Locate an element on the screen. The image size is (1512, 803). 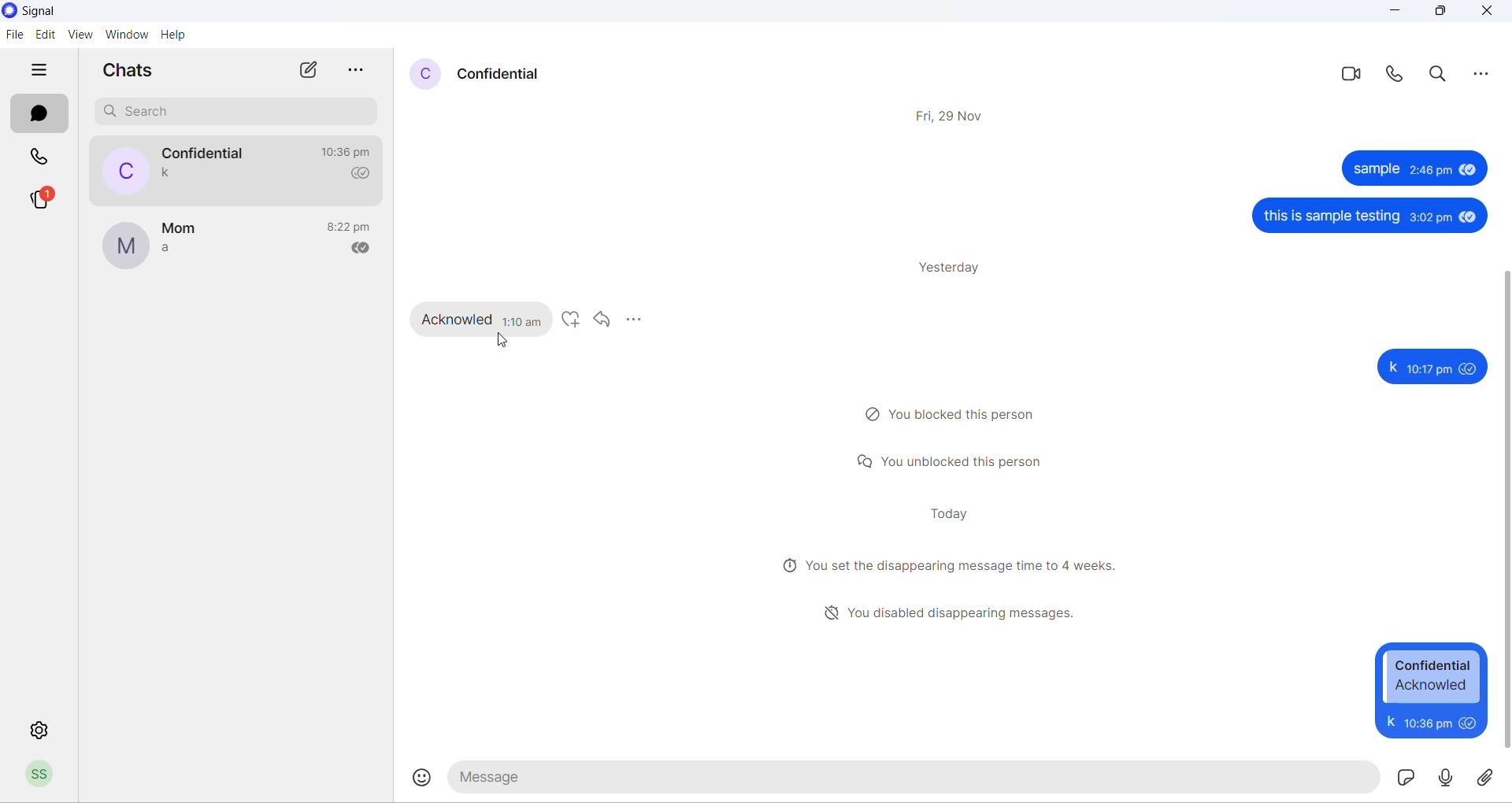
hide tabs is located at coordinates (46, 71).